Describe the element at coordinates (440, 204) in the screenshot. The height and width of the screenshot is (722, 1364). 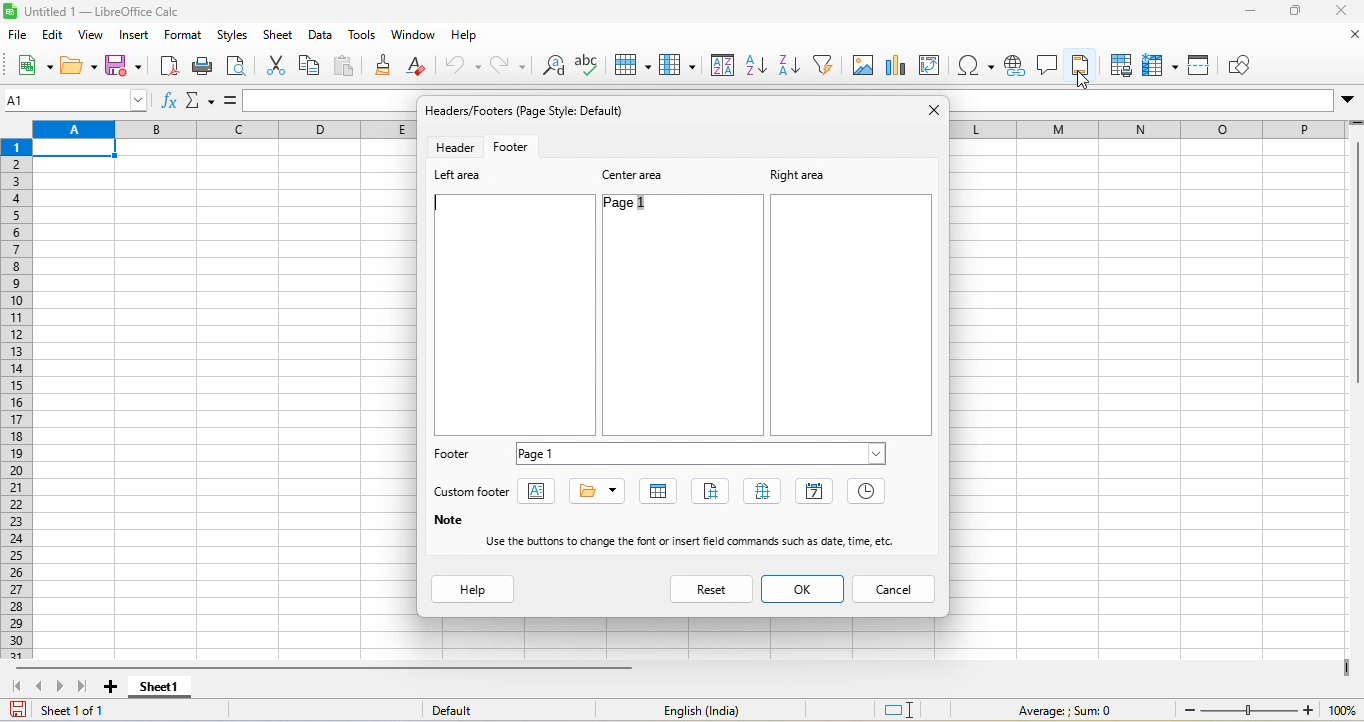
I see `text cursor` at that location.